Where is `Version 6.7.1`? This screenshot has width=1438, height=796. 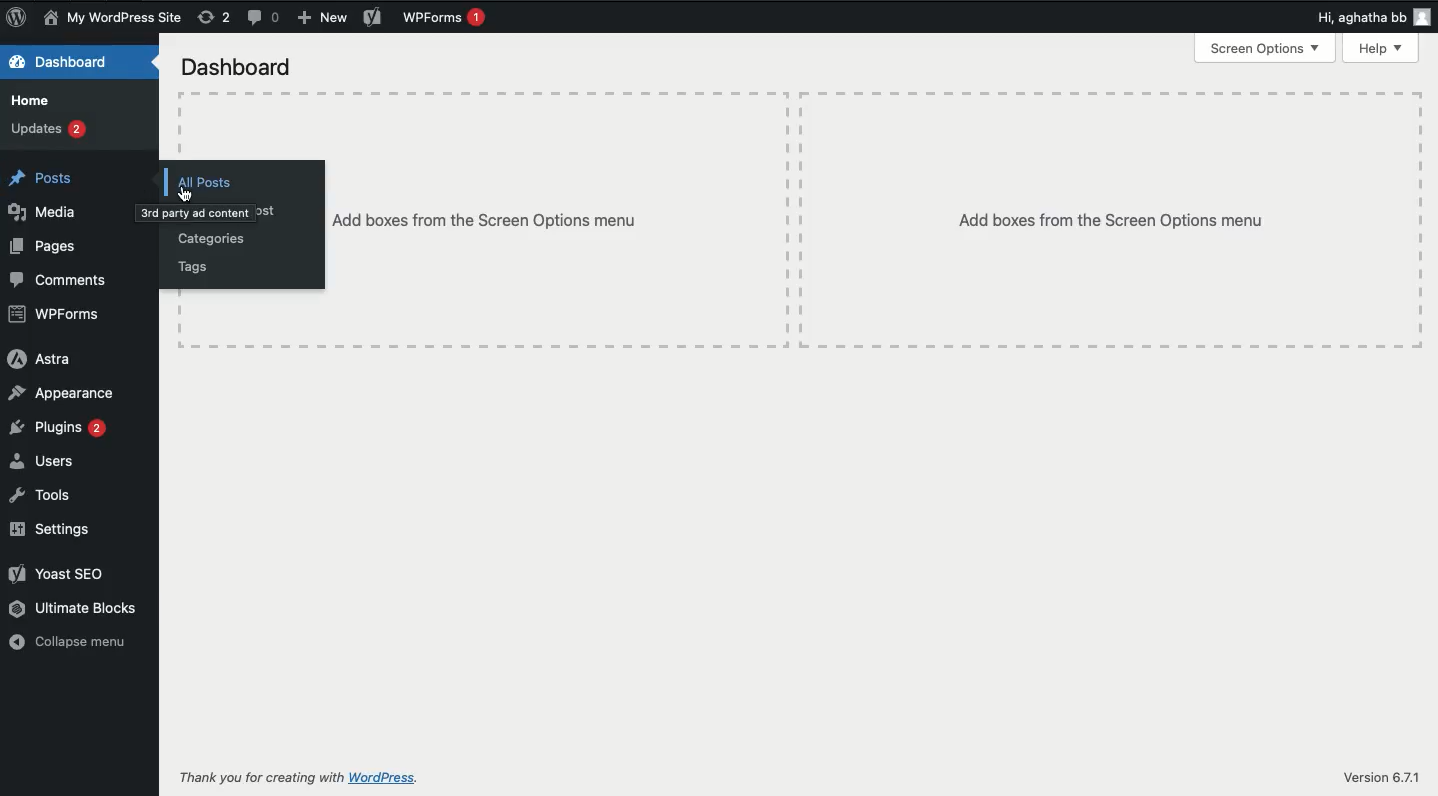 Version 6.7.1 is located at coordinates (1380, 778).